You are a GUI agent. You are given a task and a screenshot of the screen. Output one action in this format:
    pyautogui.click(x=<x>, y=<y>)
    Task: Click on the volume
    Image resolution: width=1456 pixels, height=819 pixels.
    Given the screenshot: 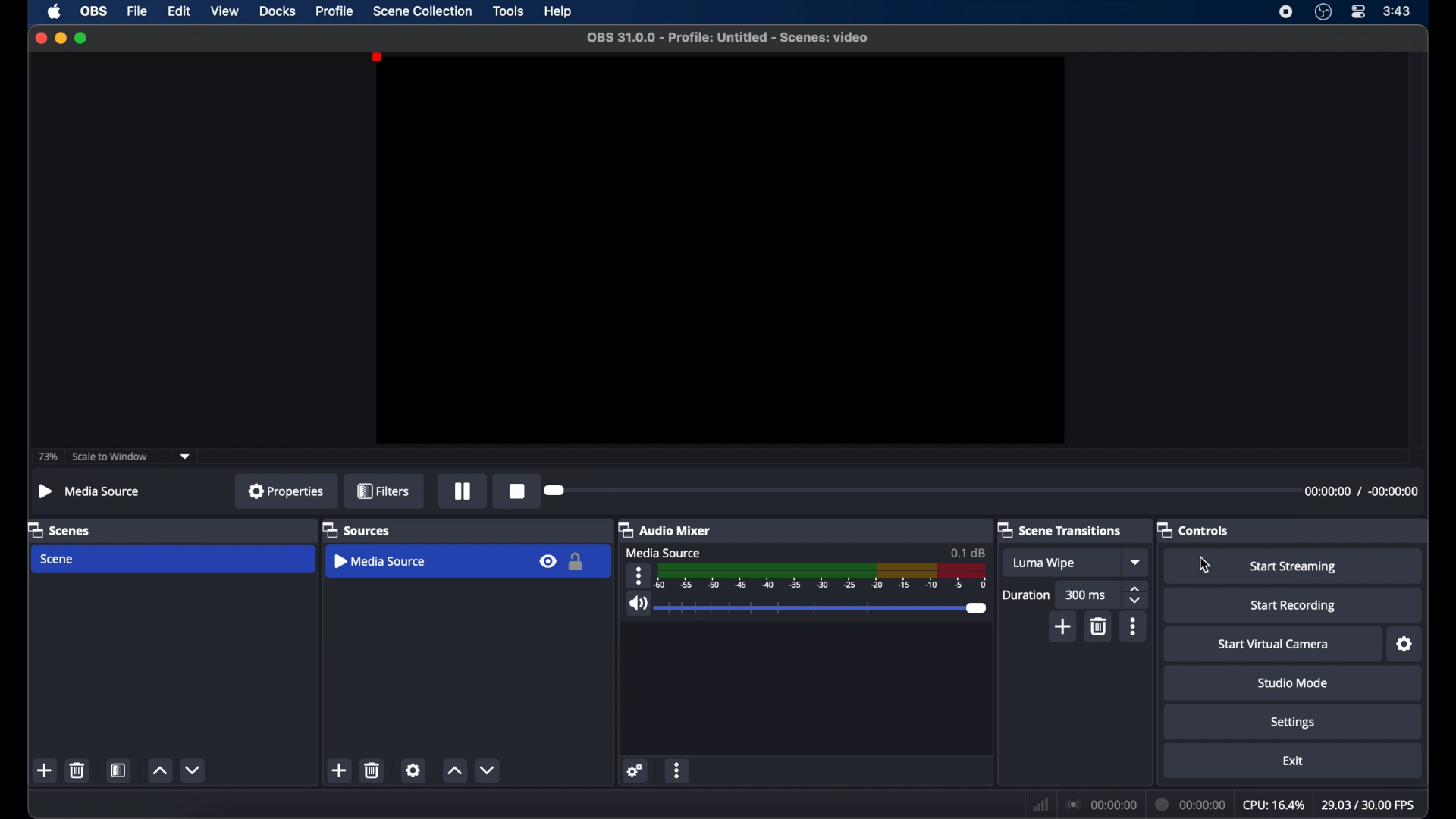 What is the action you would take?
    pyautogui.click(x=637, y=604)
    